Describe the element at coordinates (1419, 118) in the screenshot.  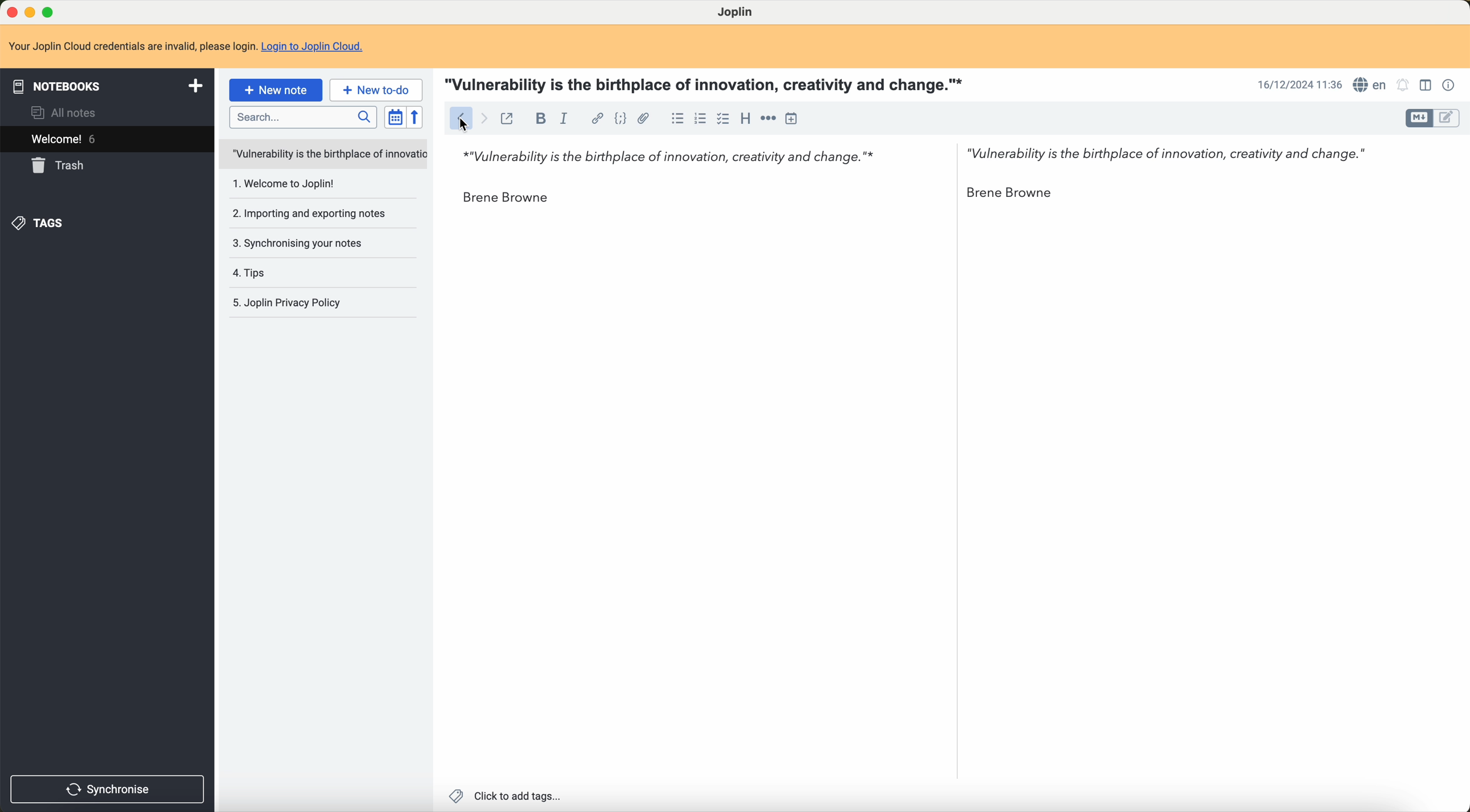
I see `toggle editor` at that location.